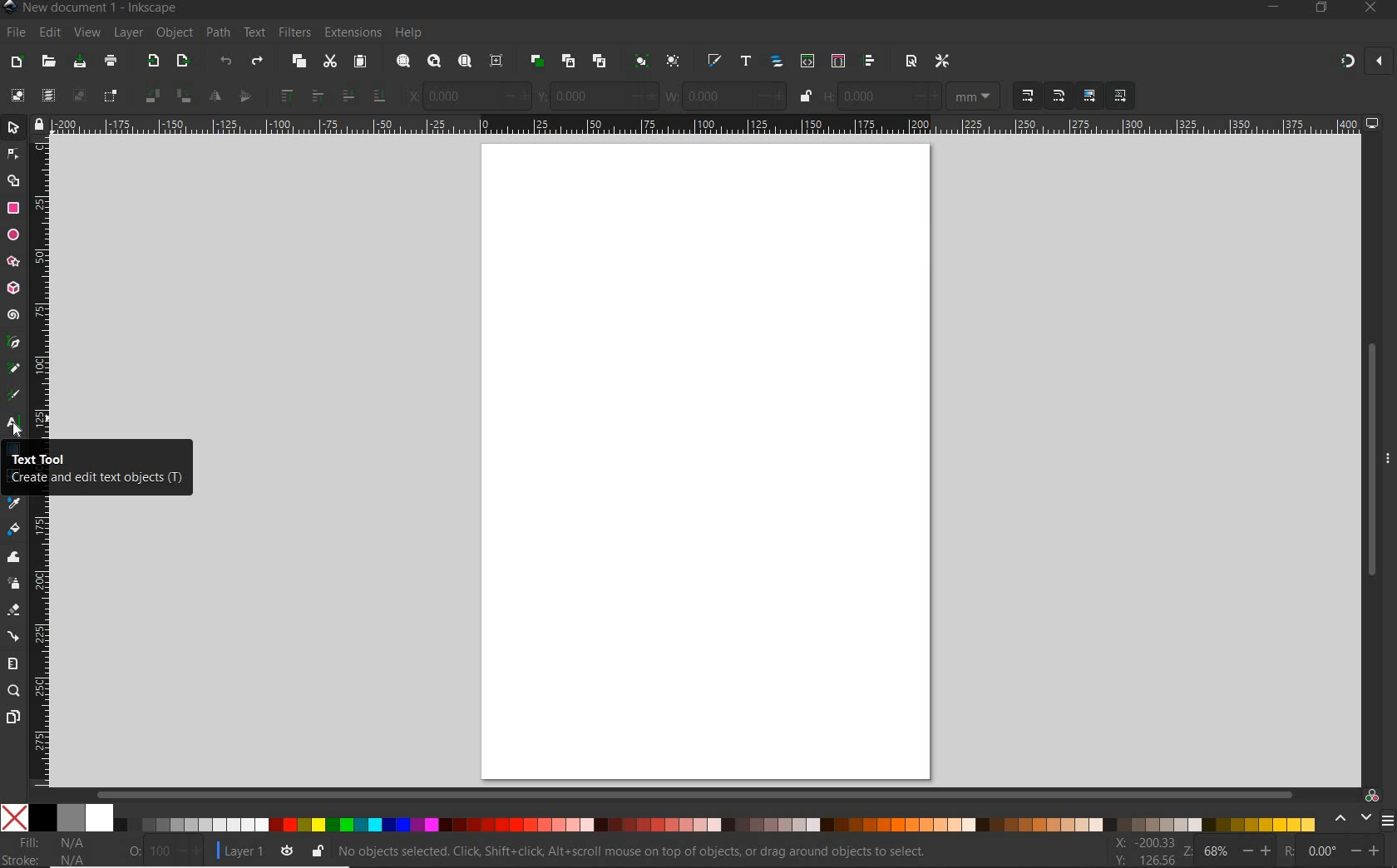 This screenshot has width=1397, height=868. I want to click on extensions, so click(352, 33).